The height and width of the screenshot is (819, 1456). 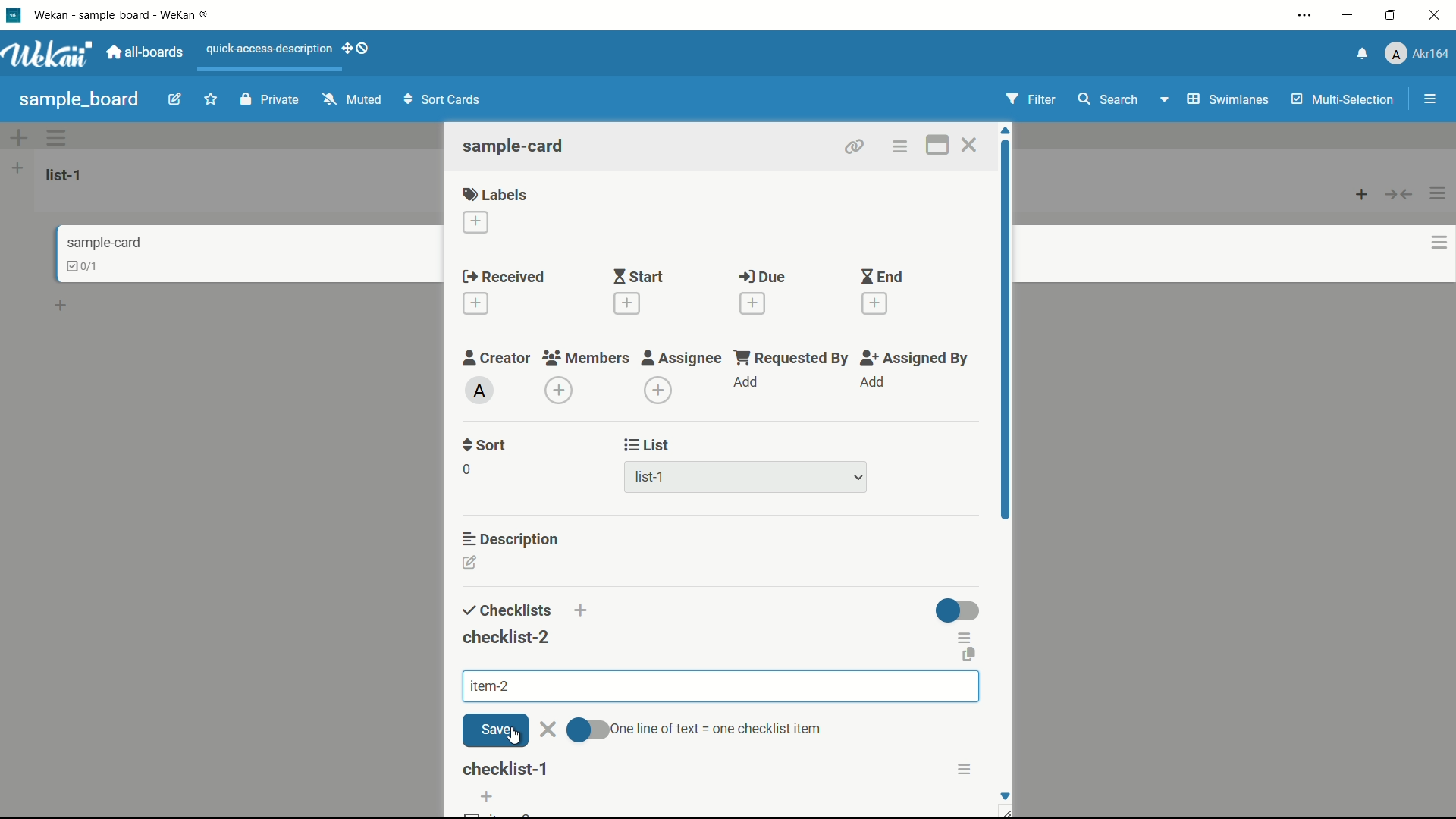 What do you see at coordinates (17, 137) in the screenshot?
I see `add swimlane` at bounding box center [17, 137].